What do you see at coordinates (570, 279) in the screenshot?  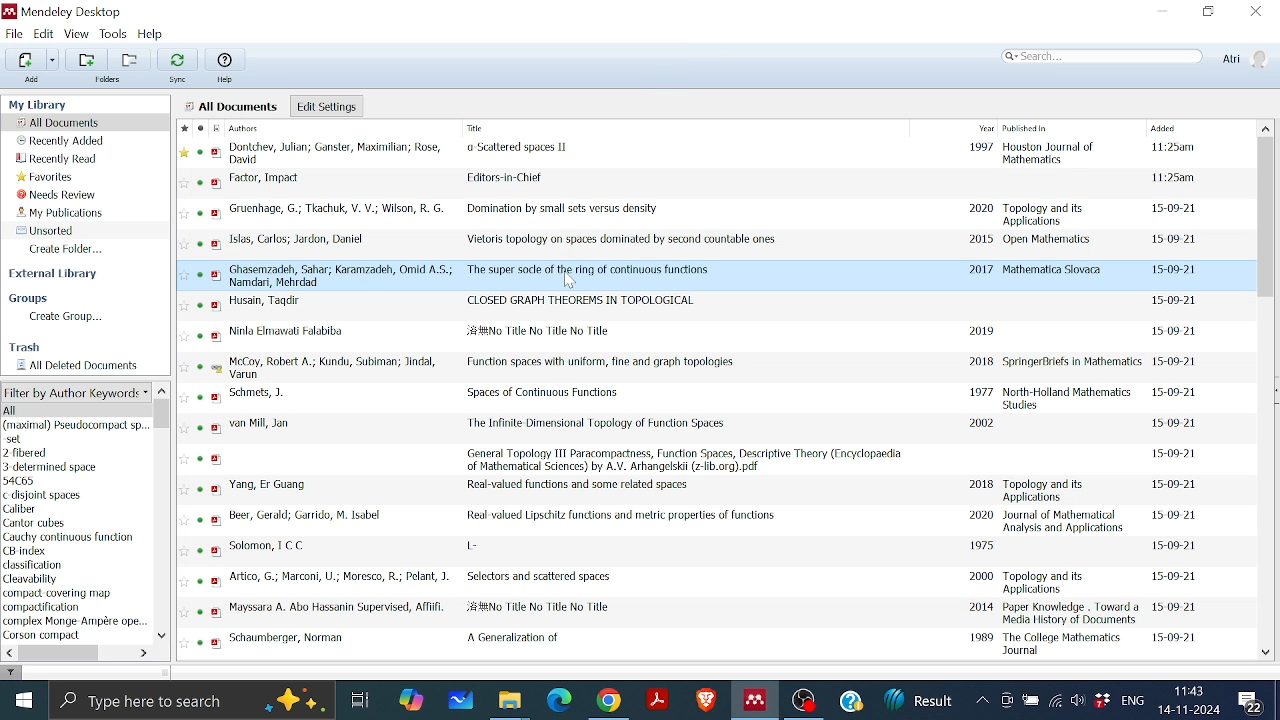 I see `Cursor Position` at bounding box center [570, 279].